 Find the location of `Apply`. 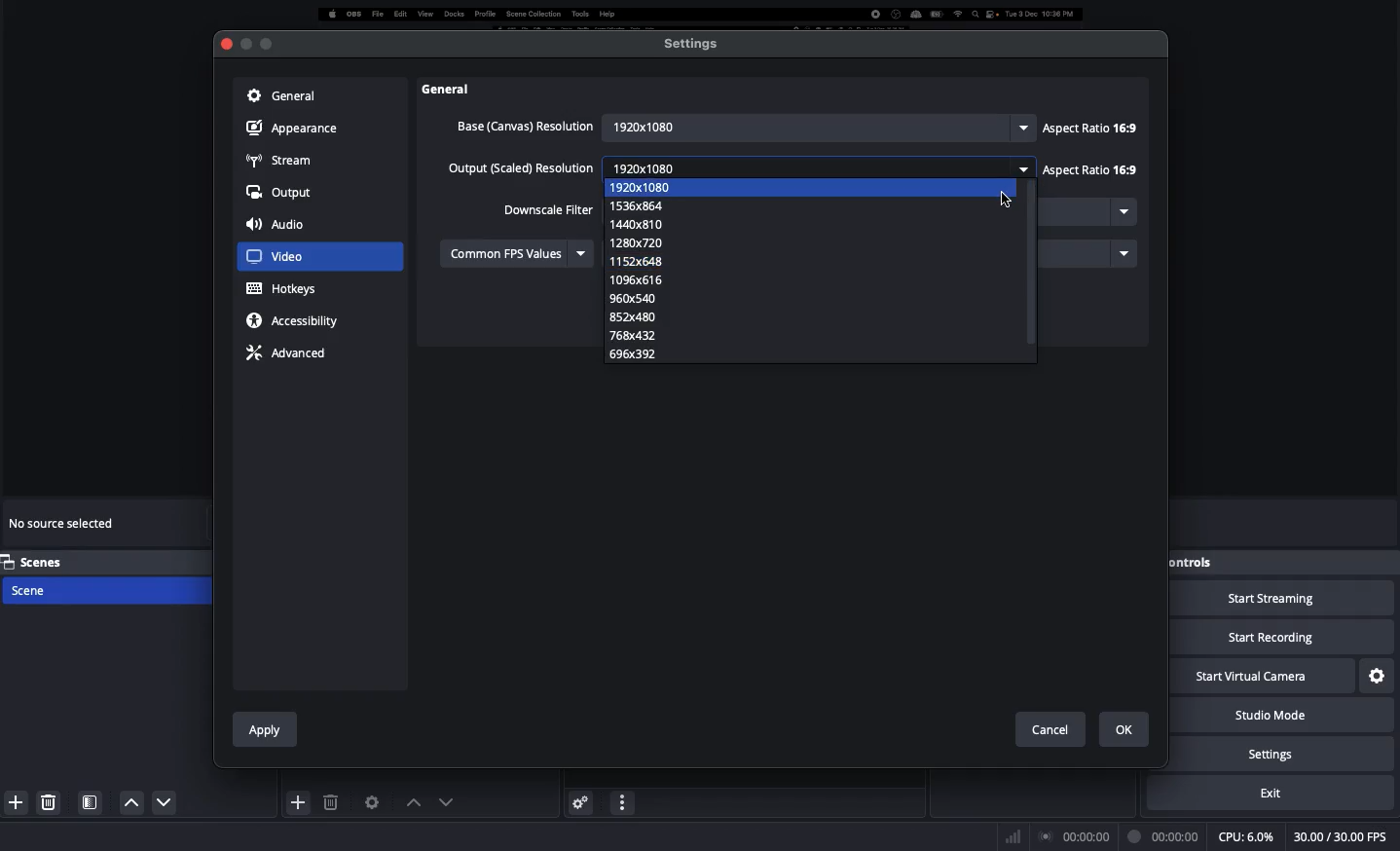

Apply is located at coordinates (266, 726).